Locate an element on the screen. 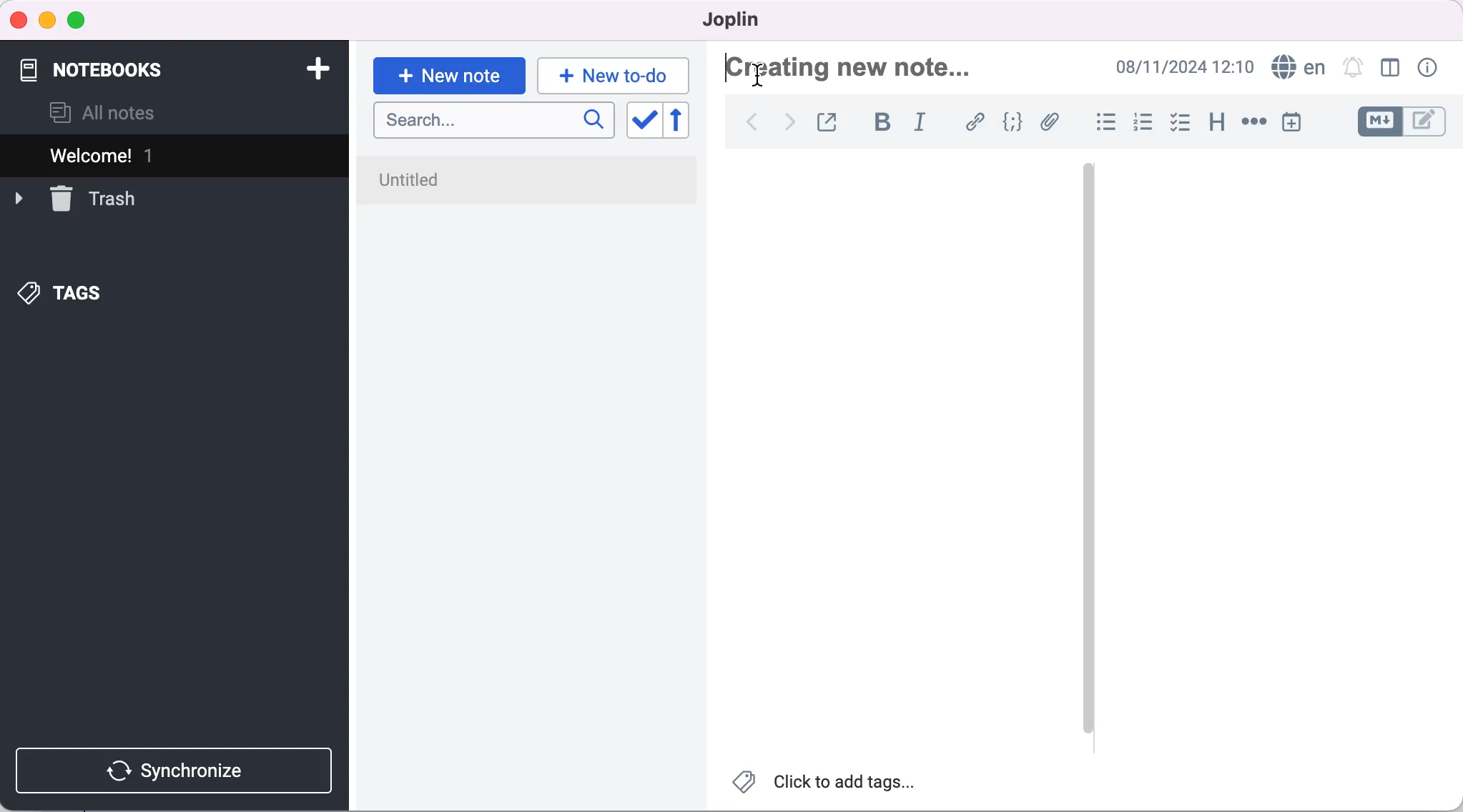 The height and width of the screenshot is (812, 1463). bold is located at coordinates (876, 124).